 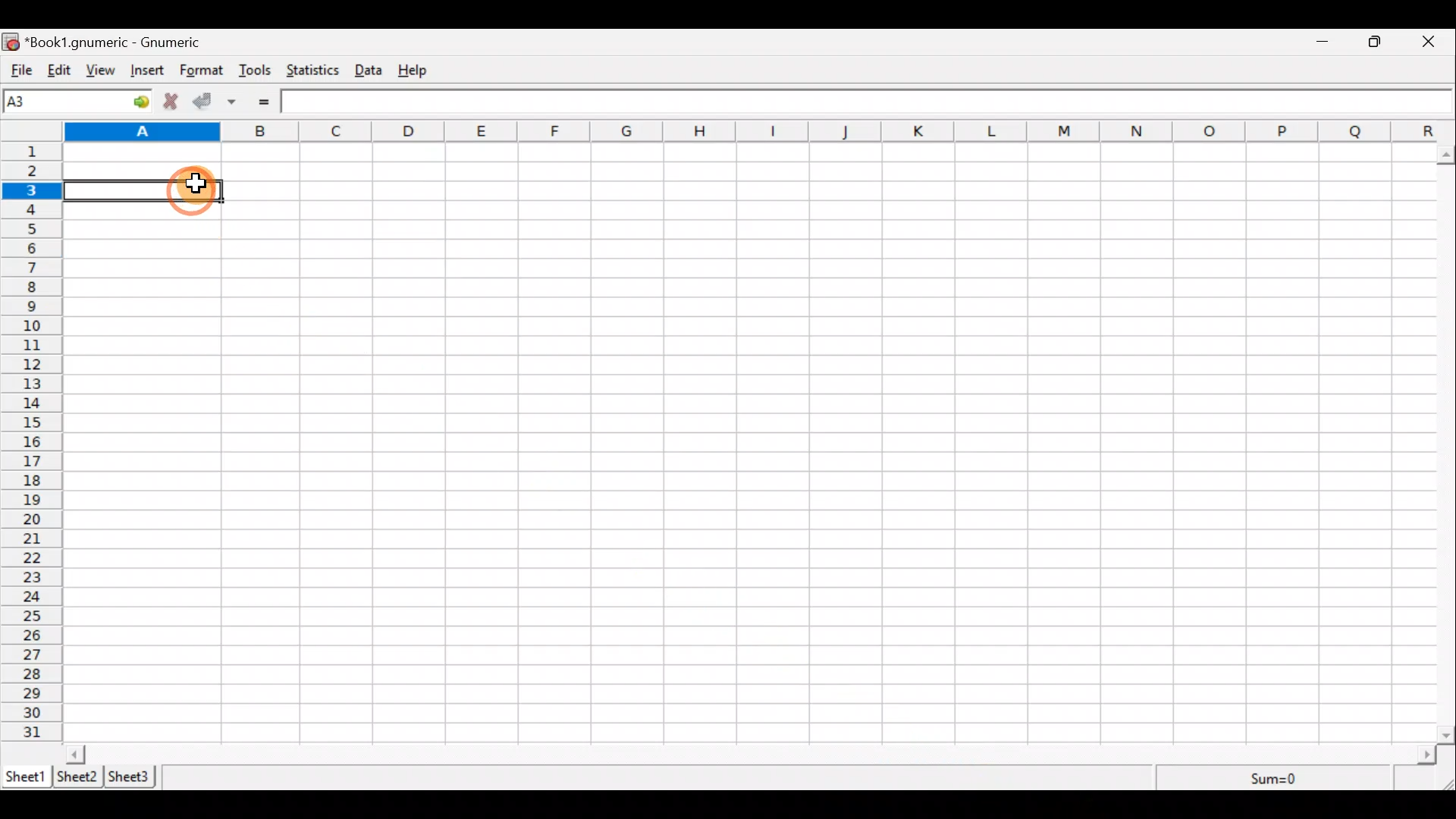 What do you see at coordinates (202, 71) in the screenshot?
I see `Format` at bounding box center [202, 71].